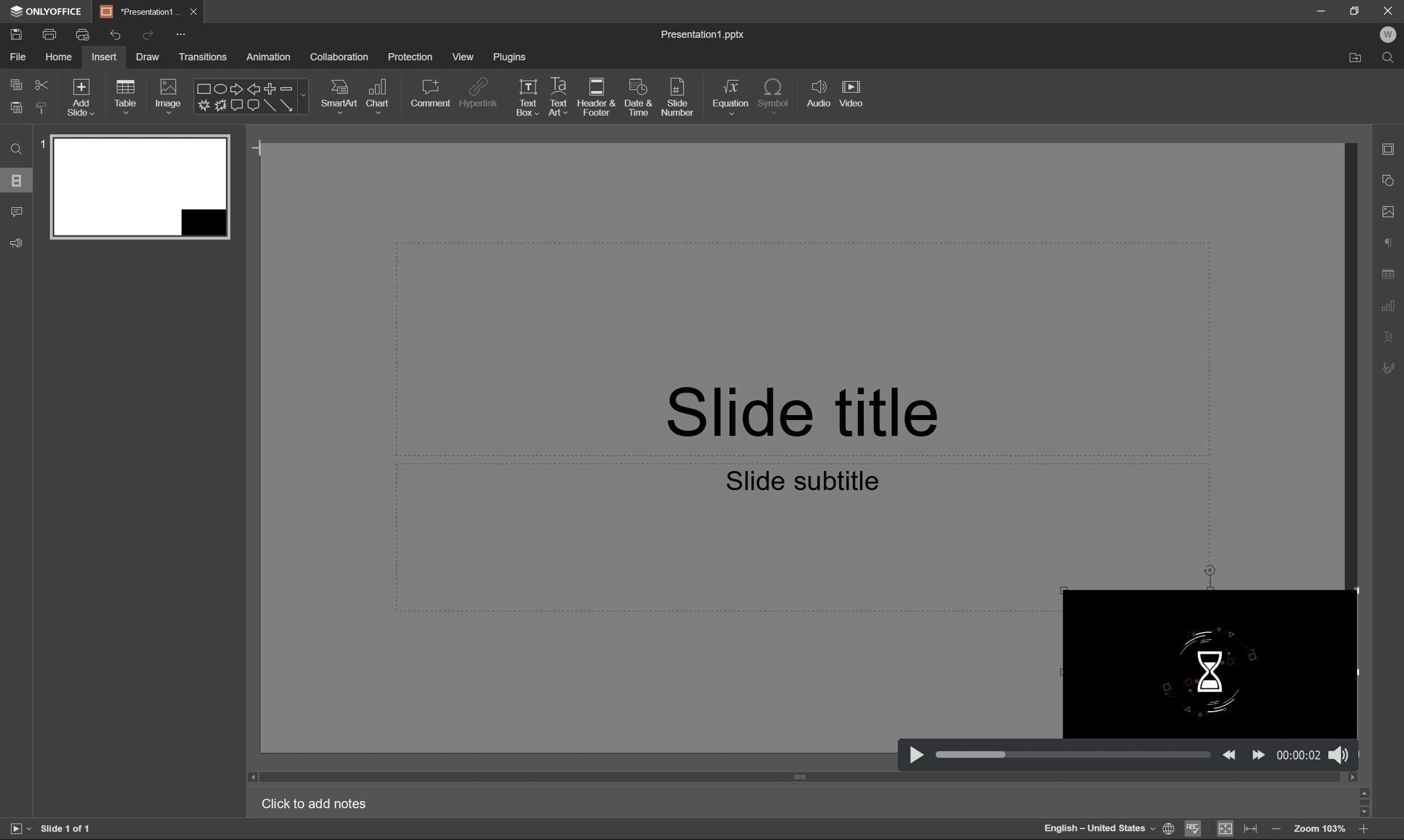  Describe the element at coordinates (148, 35) in the screenshot. I see `redo` at that location.